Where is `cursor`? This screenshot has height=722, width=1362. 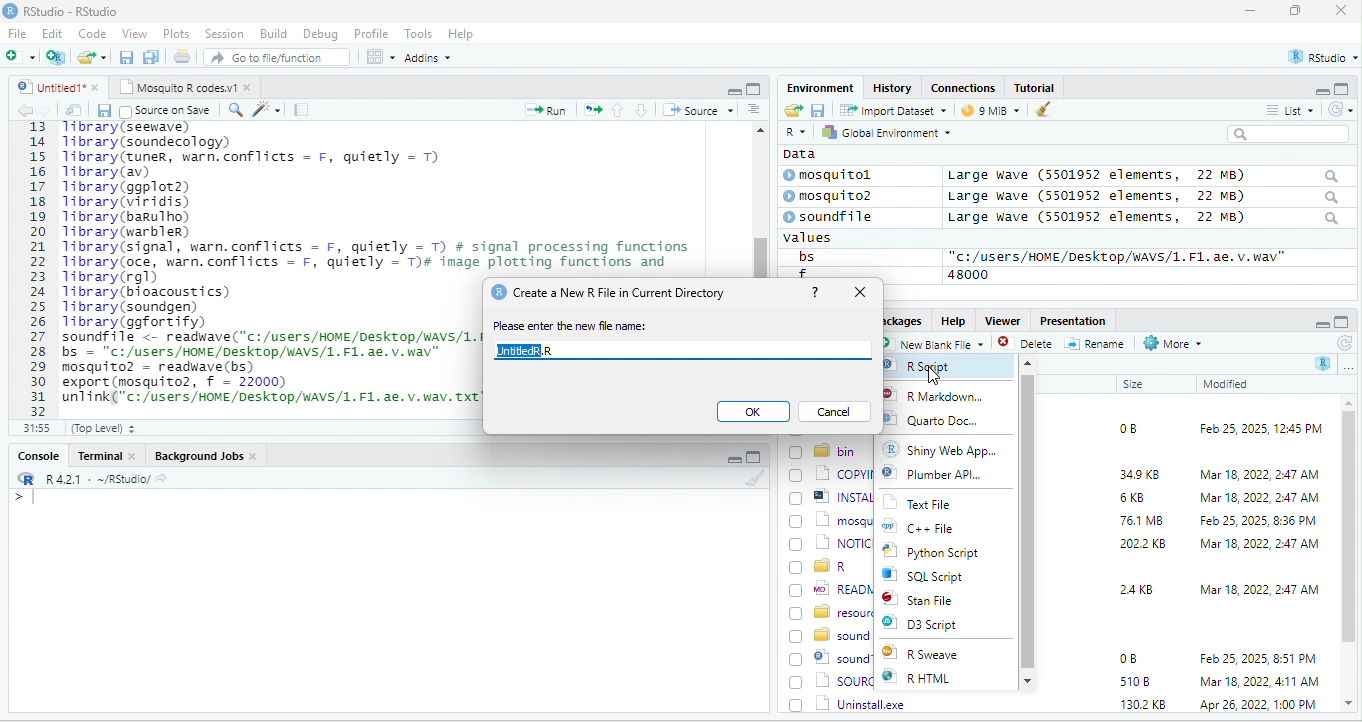
cursor is located at coordinates (932, 373).